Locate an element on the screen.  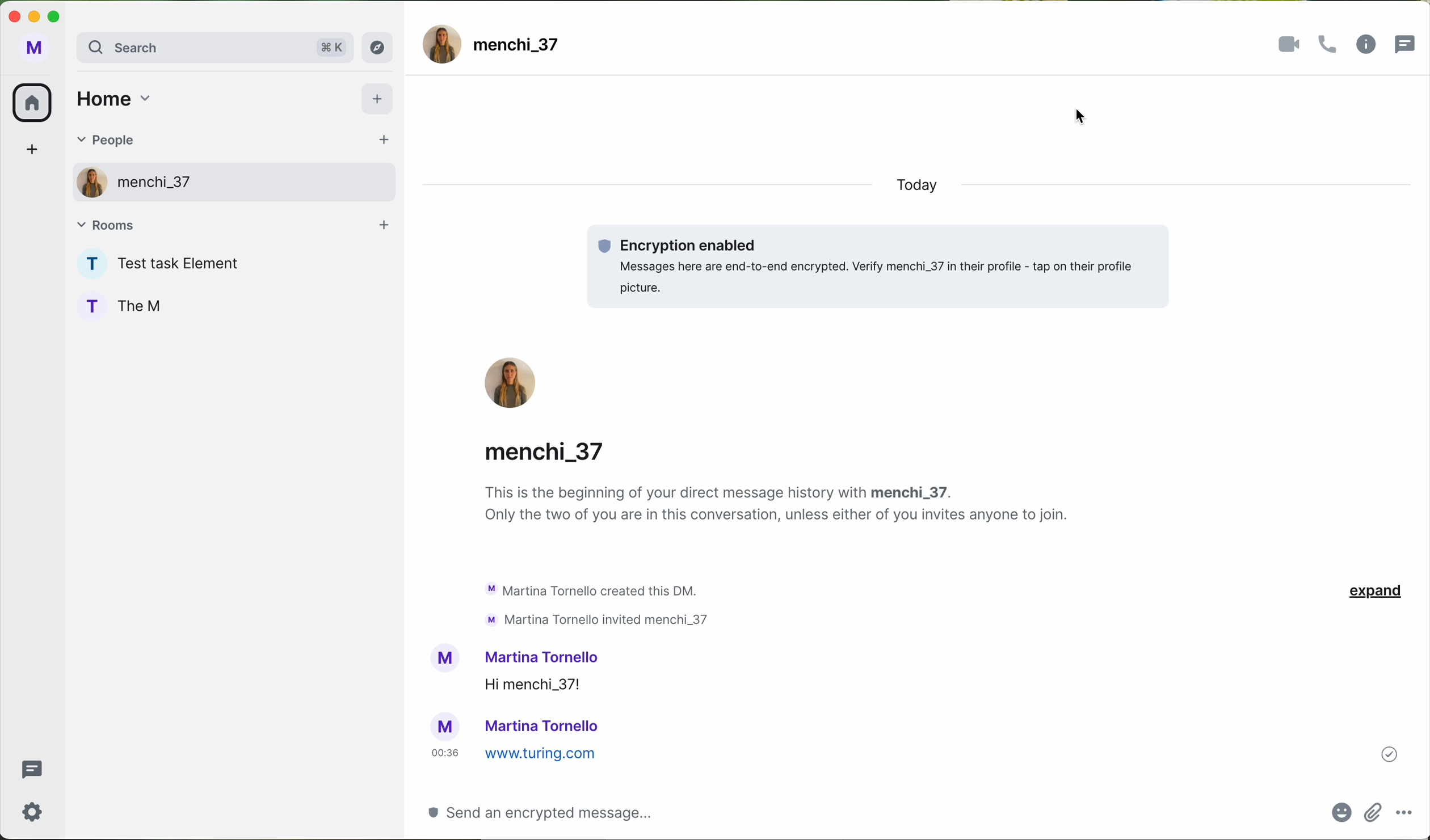
videocall is located at coordinates (1290, 44).